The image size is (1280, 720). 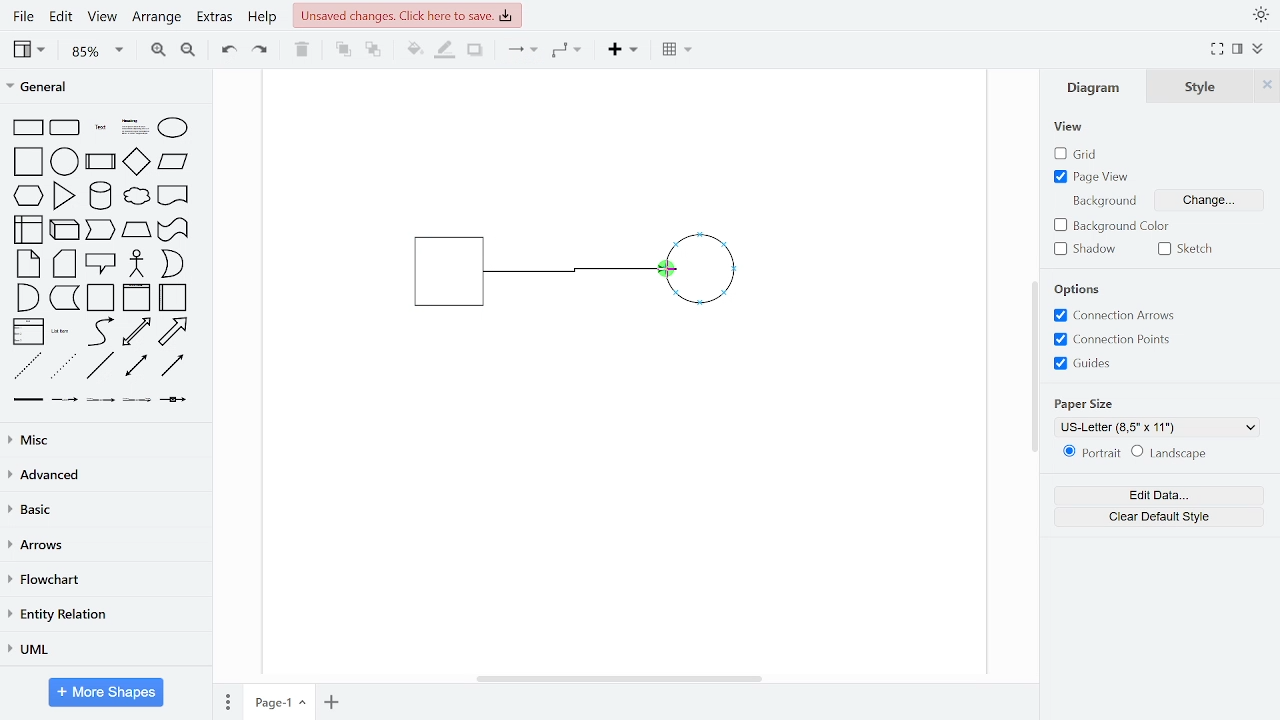 What do you see at coordinates (628, 50) in the screenshot?
I see `insert` at bounding box center [628, 50].